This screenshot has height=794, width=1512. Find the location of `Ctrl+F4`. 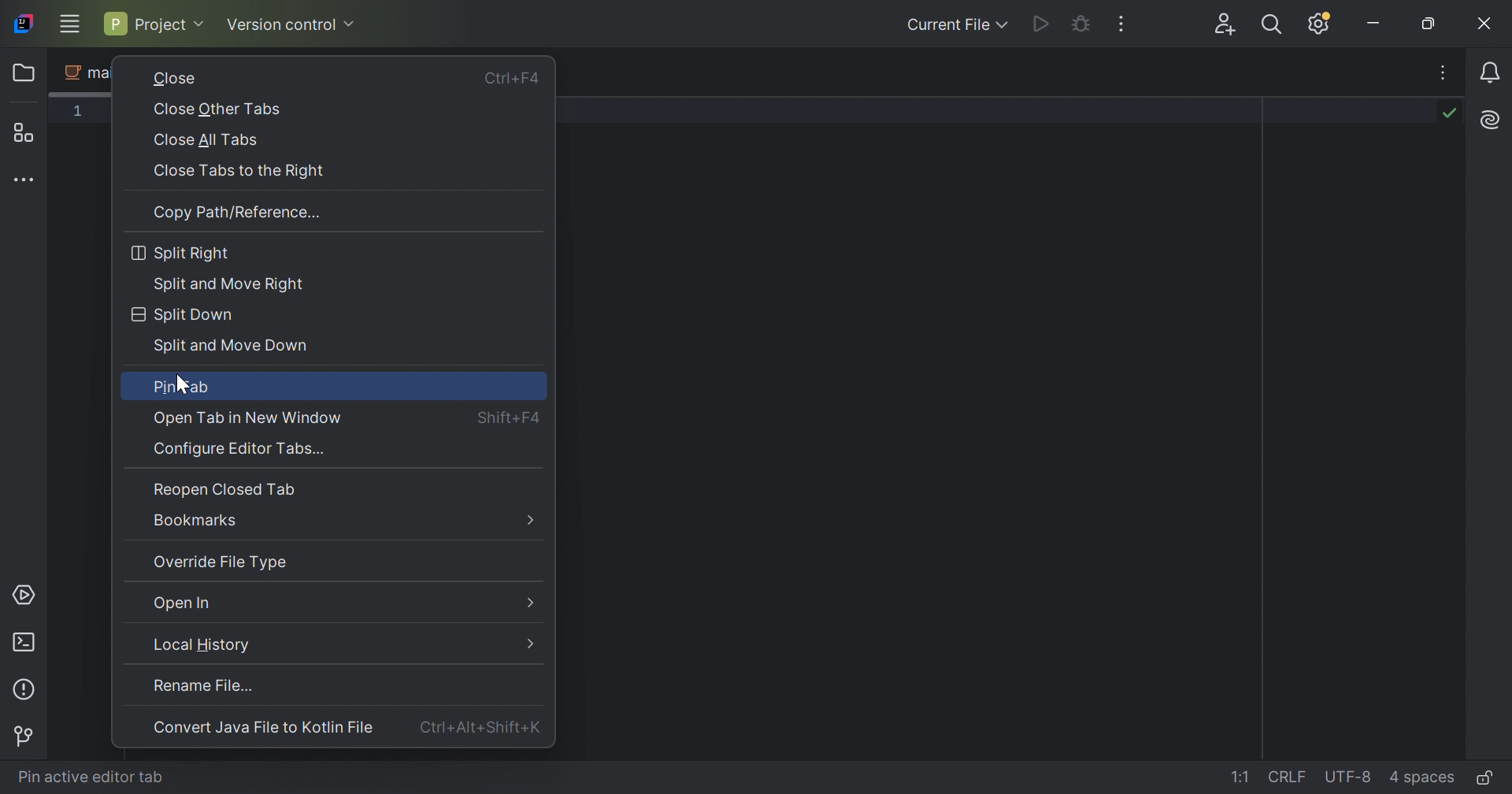

Ctrl+F4 is located at coordinates (514, 82).